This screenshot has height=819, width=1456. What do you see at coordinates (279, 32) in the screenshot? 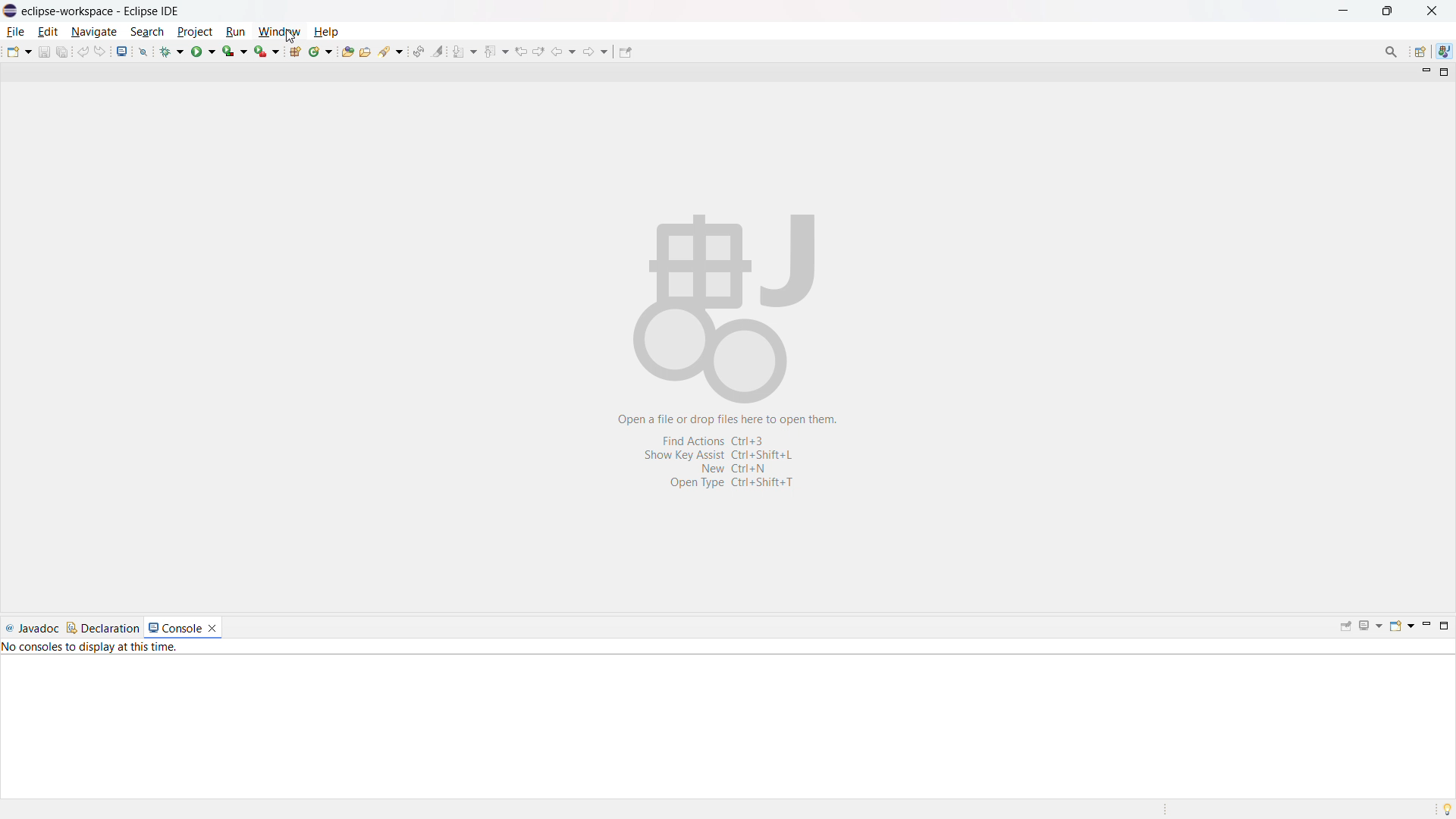
I see `window` at bounding box center [279, 32].